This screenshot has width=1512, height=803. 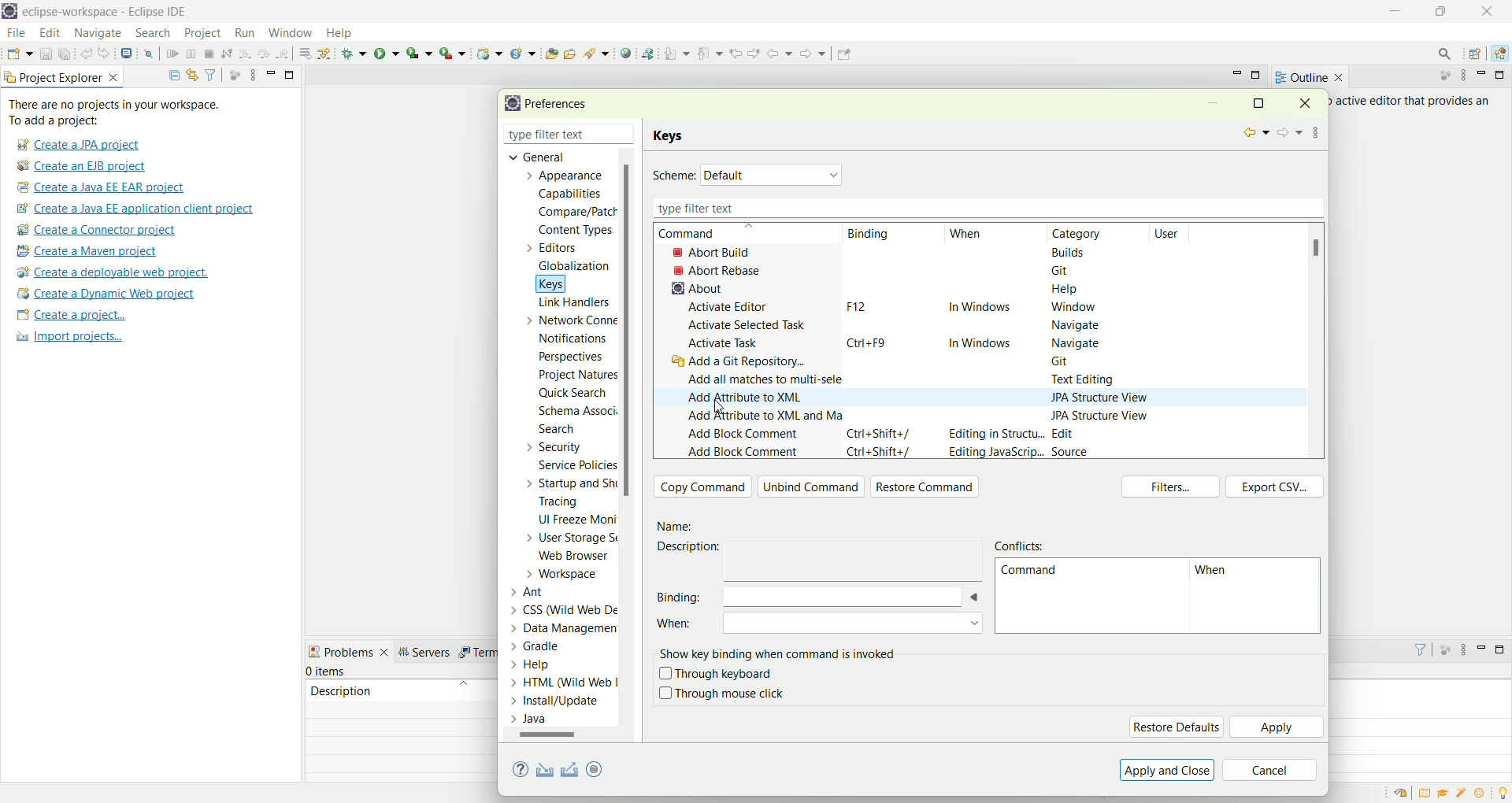 What do you see at coordinates (558, 703) in the screenshot?
I see `Install/update` at bounding box center [558, 703].